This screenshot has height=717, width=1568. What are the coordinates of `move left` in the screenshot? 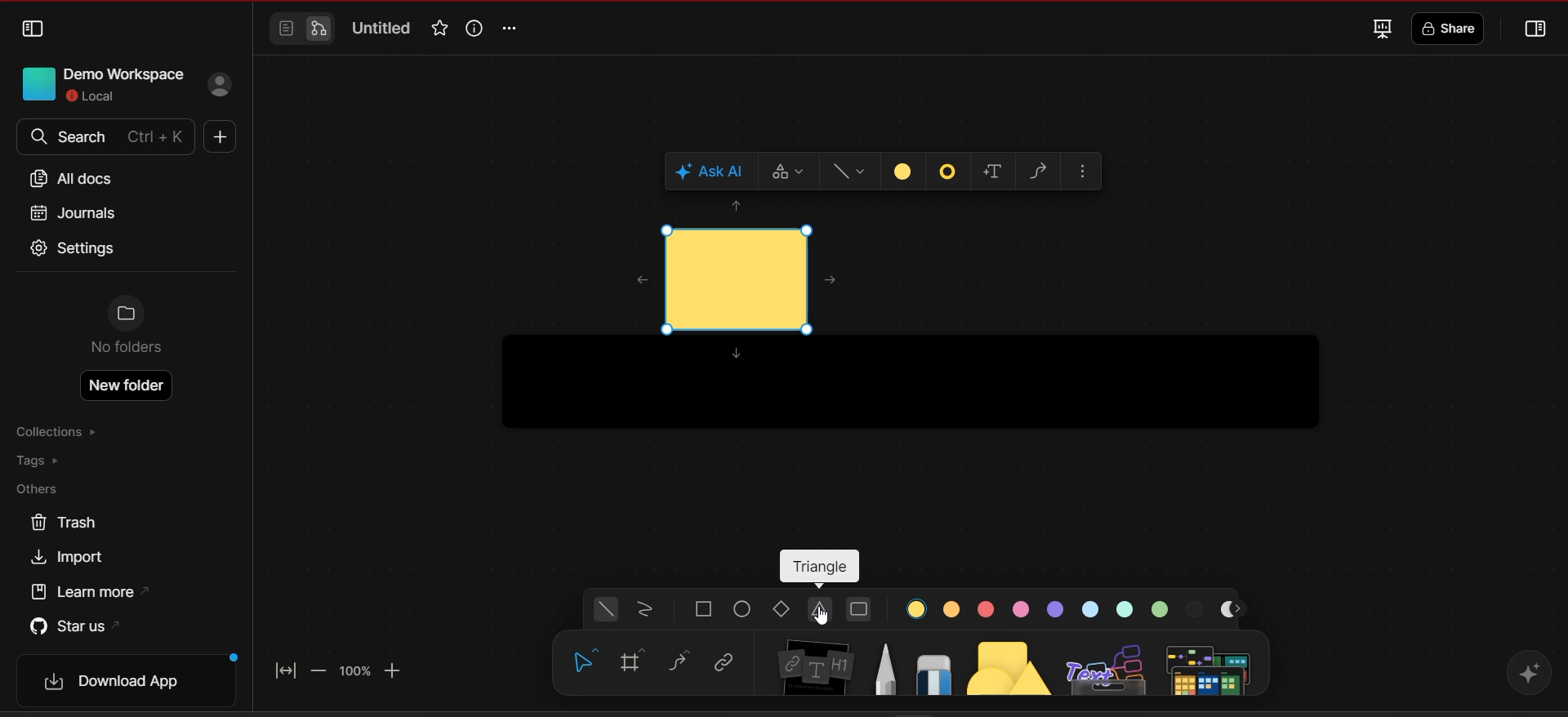 It's located at (641, 279).